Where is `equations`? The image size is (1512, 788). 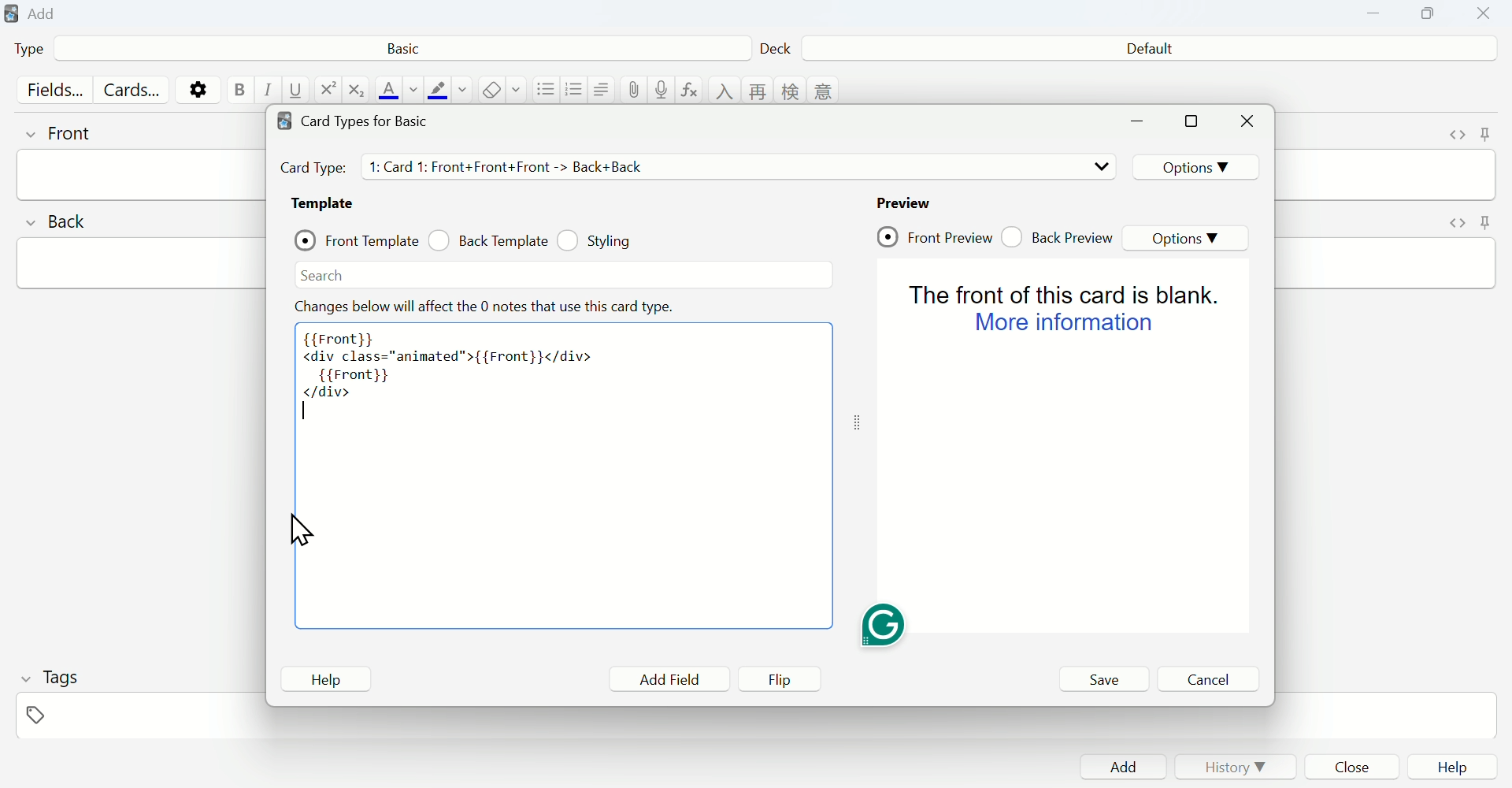
equations is located at coordinates (689, 90).